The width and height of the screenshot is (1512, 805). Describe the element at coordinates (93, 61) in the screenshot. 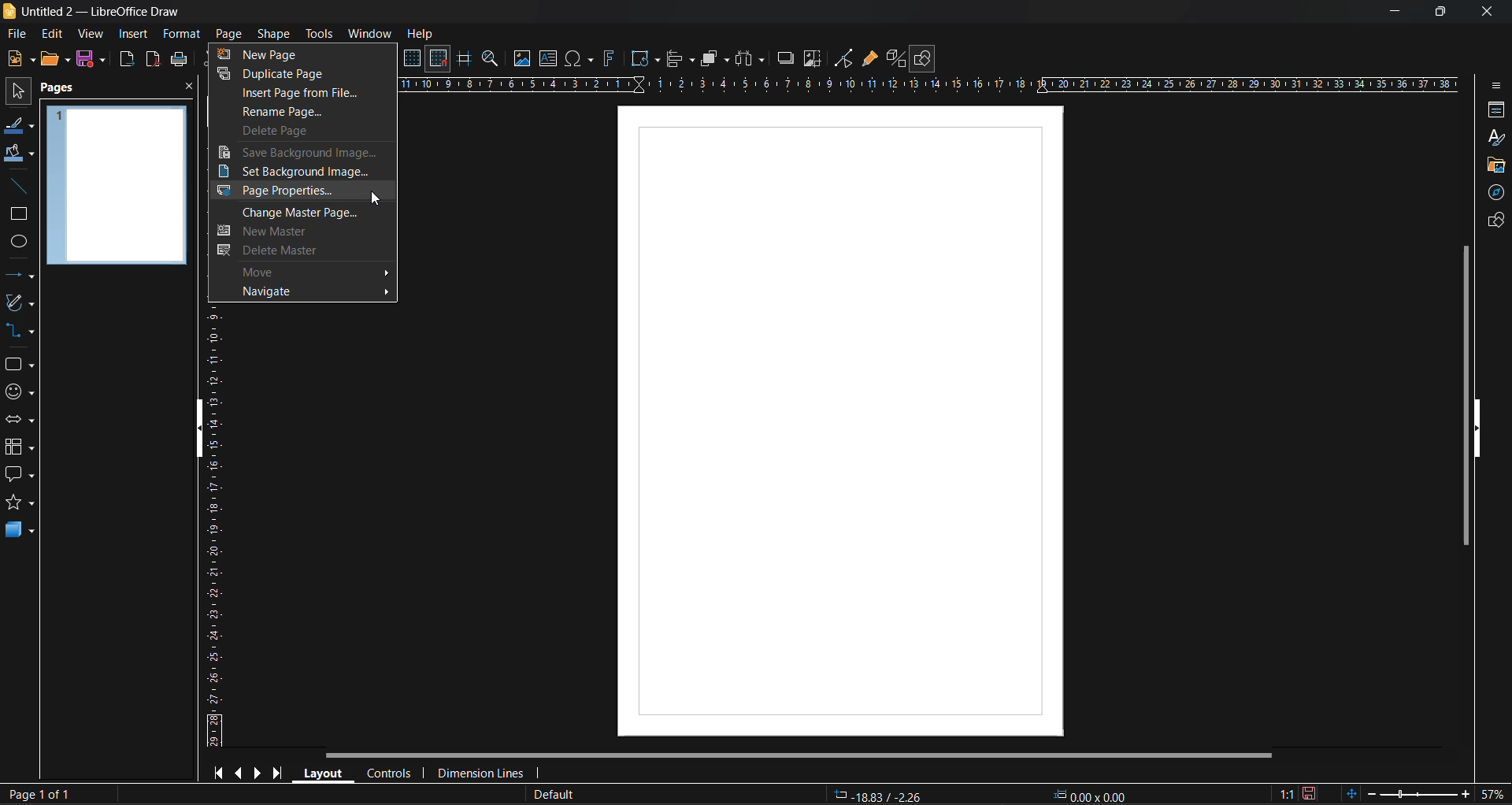

I see `save` at that location.